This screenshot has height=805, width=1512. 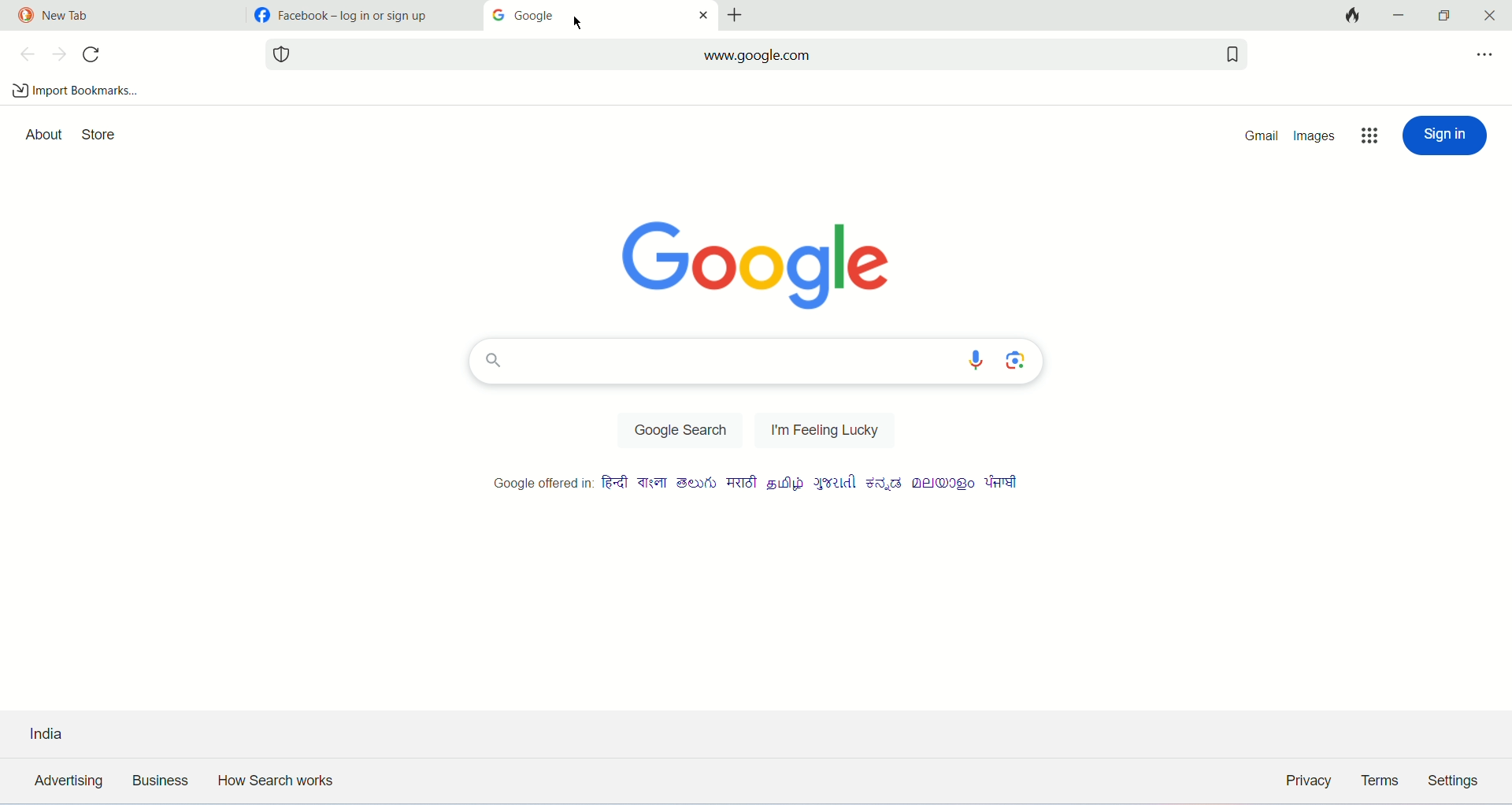 I want to click on import bookmarks, so click(x=74, y=90).